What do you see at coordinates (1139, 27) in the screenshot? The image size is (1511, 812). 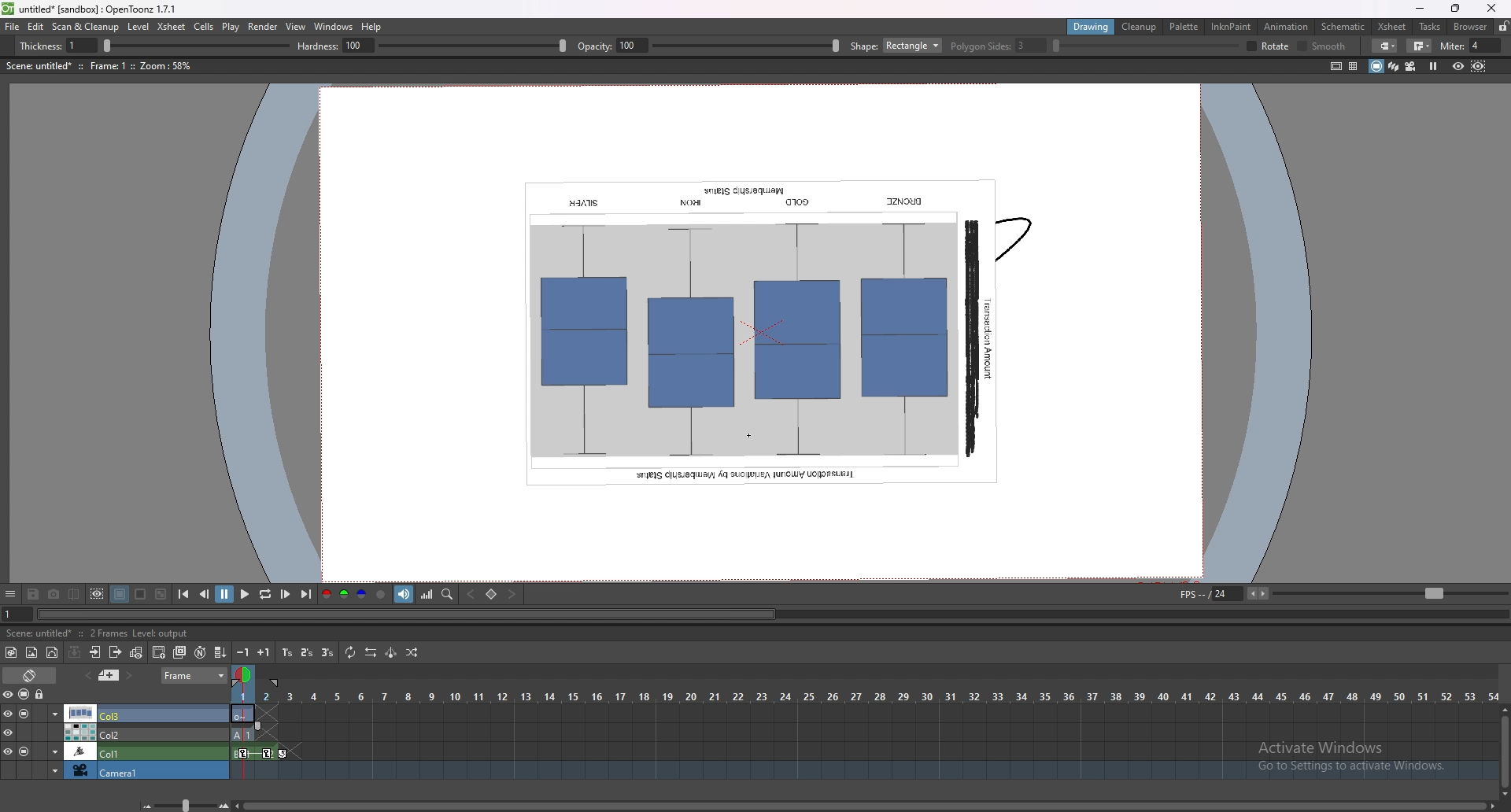 I see `cleanup` at bounding box center [1139, 27].